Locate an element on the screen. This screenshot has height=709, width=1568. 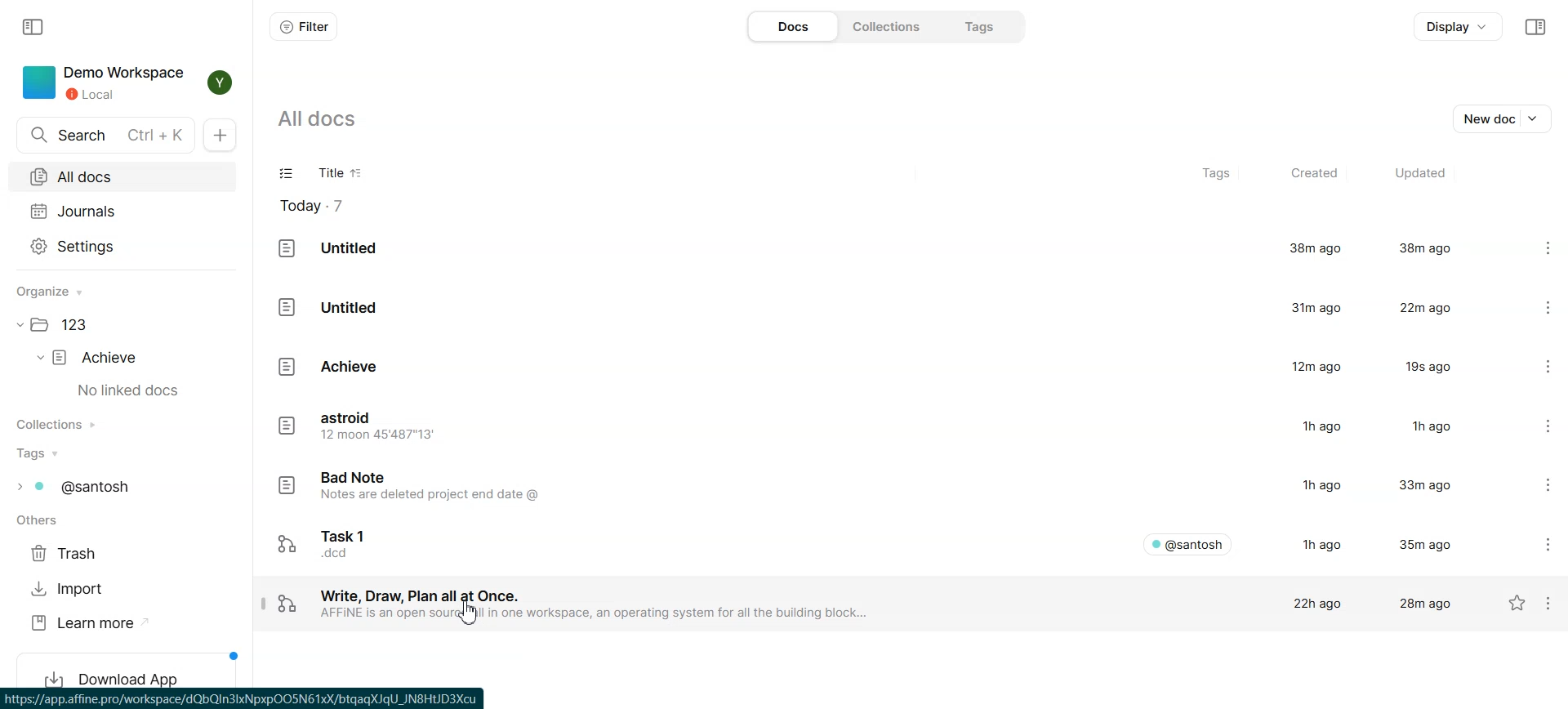
Doc file is located at coordinates (878, 488).